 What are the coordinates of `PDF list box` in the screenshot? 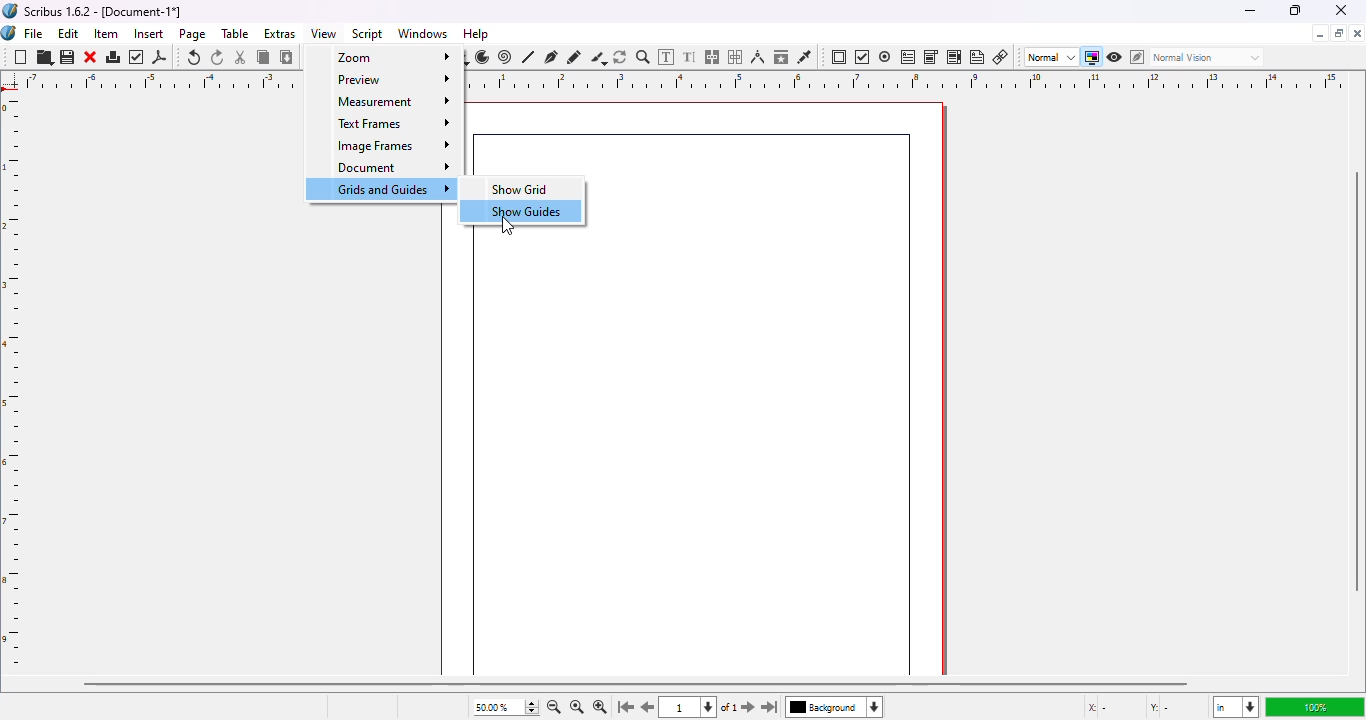 It's located at (954, 57).